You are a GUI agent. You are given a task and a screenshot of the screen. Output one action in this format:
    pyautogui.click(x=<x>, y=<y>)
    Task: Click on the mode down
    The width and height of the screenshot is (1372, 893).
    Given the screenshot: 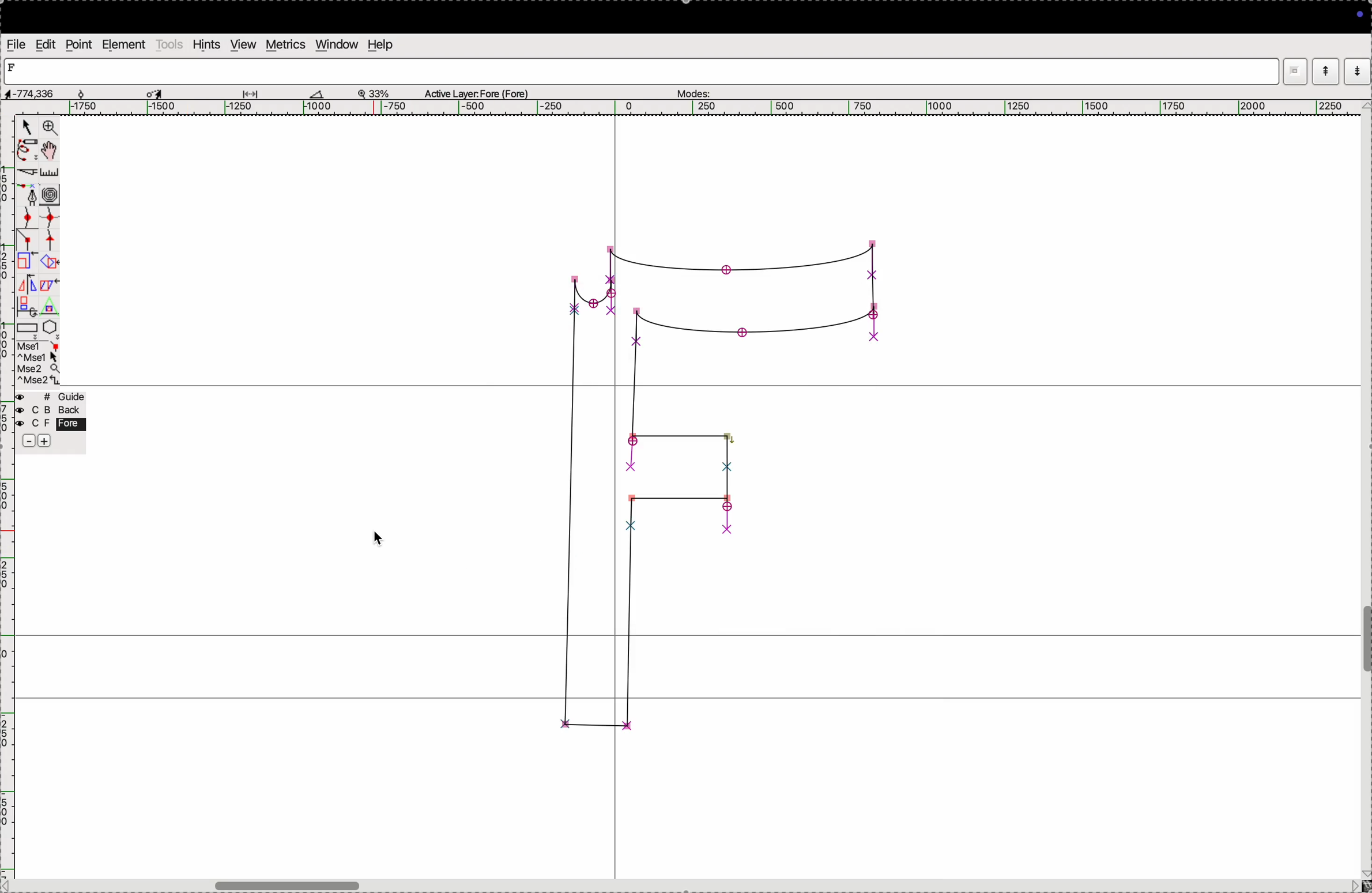 What is the action you would take?
    pyautogui.click(x=1358, y=70)
    